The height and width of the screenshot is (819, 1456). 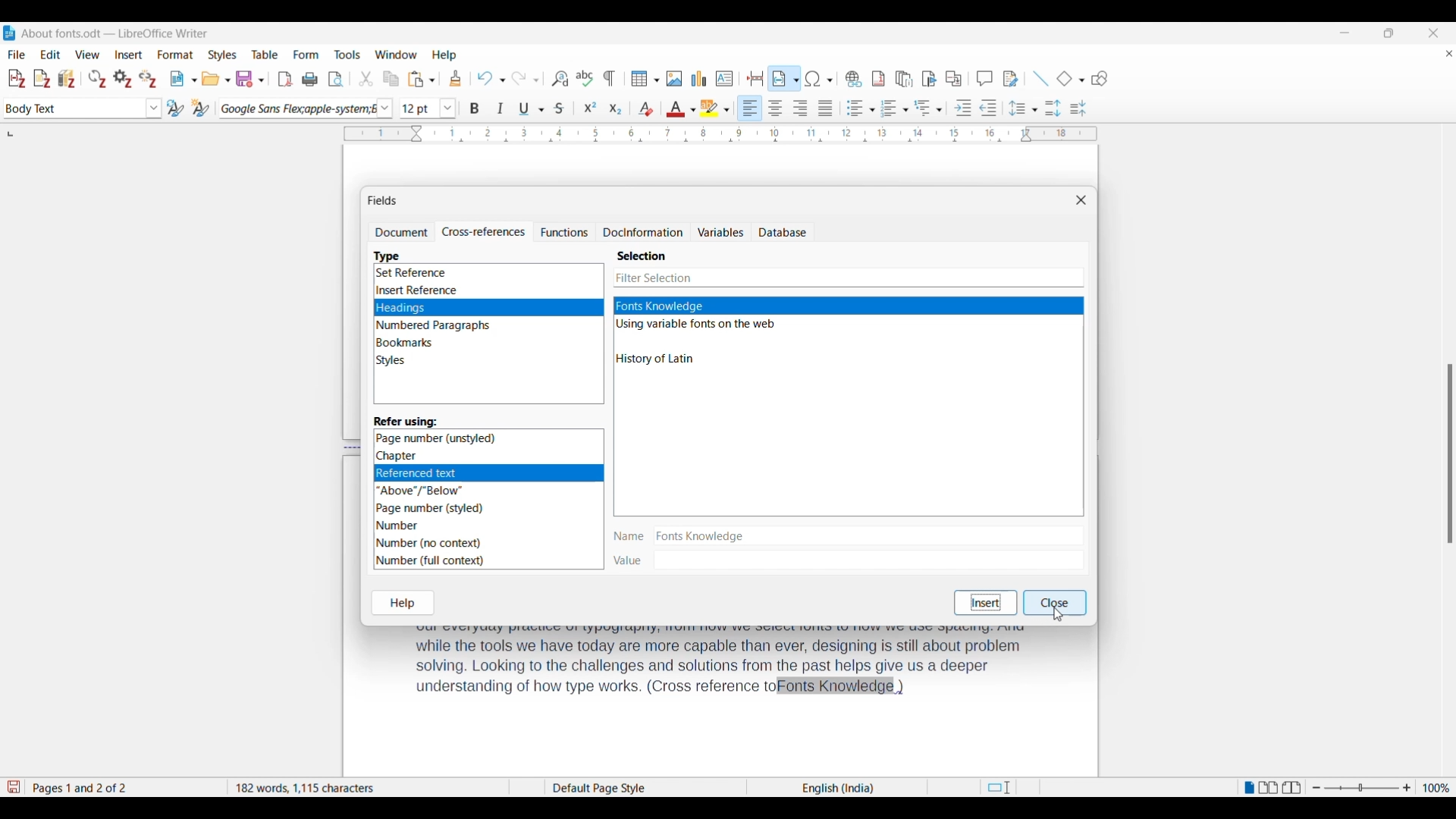 I want to click on Variables, so click(x=720, y=232).